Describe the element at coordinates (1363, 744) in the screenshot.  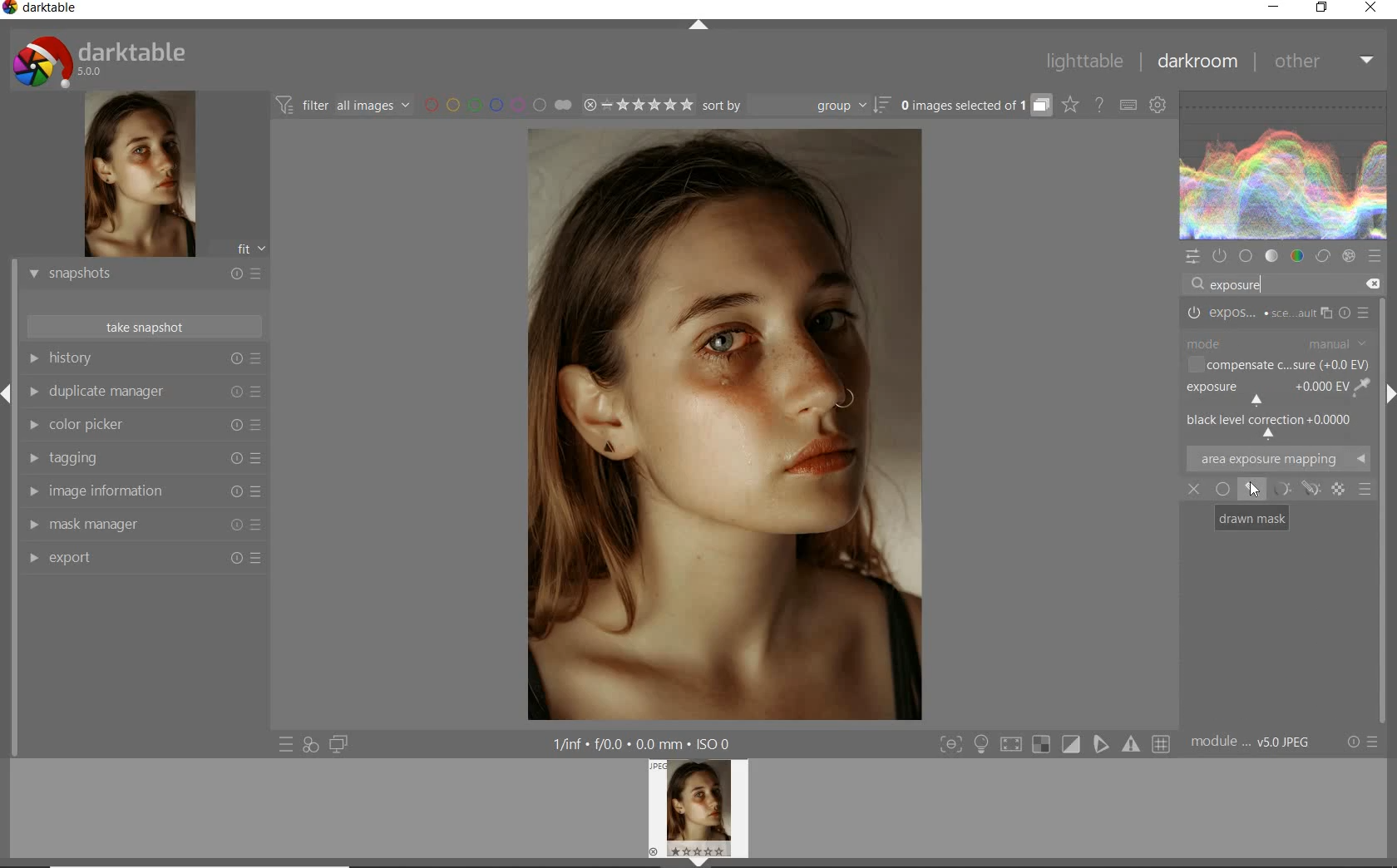
I see `reset or presets & preferences` at that location.